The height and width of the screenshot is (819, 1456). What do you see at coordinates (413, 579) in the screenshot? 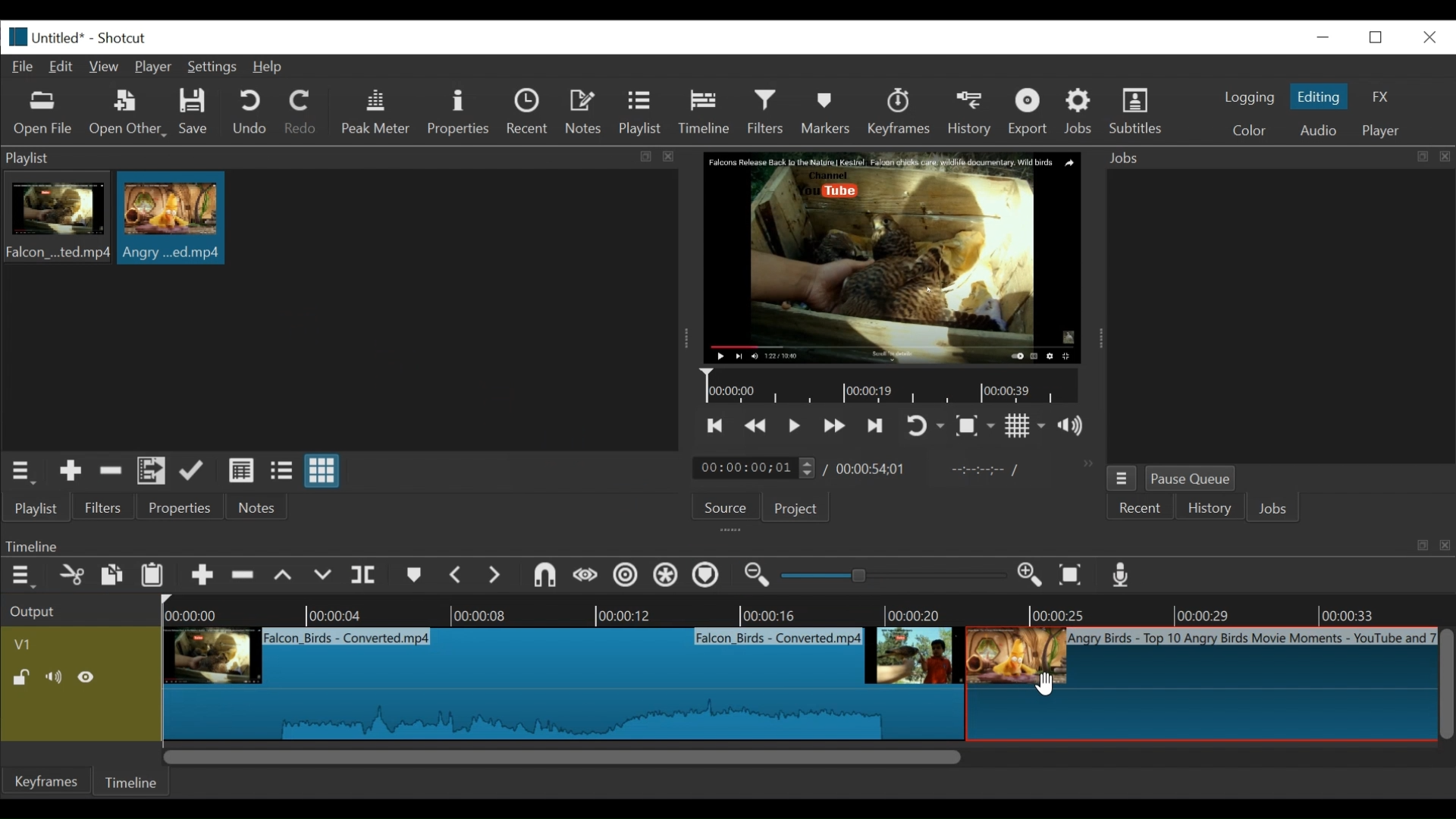
I see `markers` at bounding box center [413, 579].